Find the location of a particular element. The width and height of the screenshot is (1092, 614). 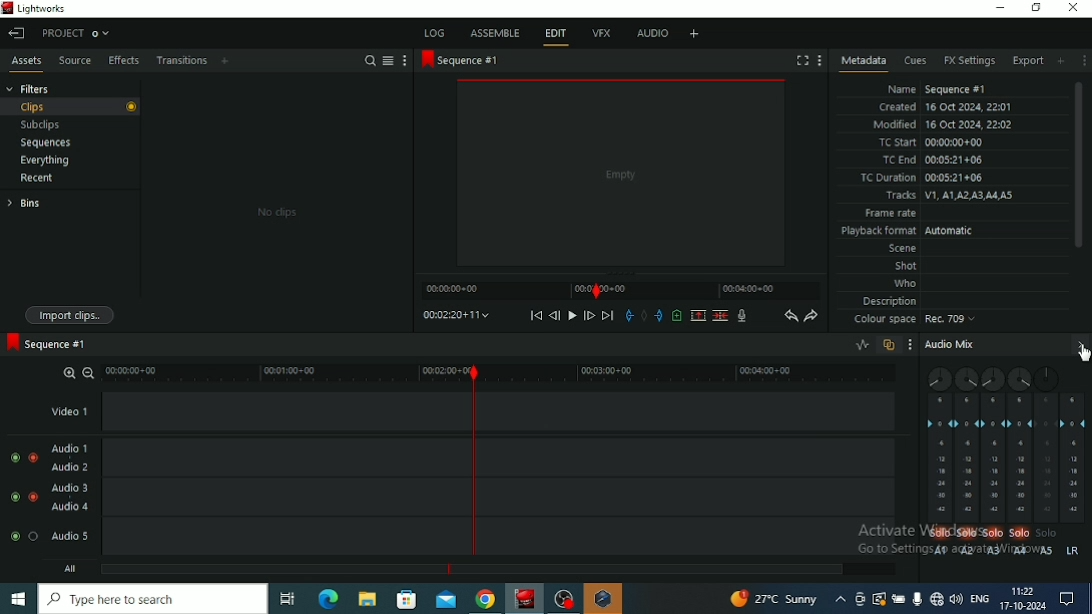

A3 is located at coordinates (995, 553).